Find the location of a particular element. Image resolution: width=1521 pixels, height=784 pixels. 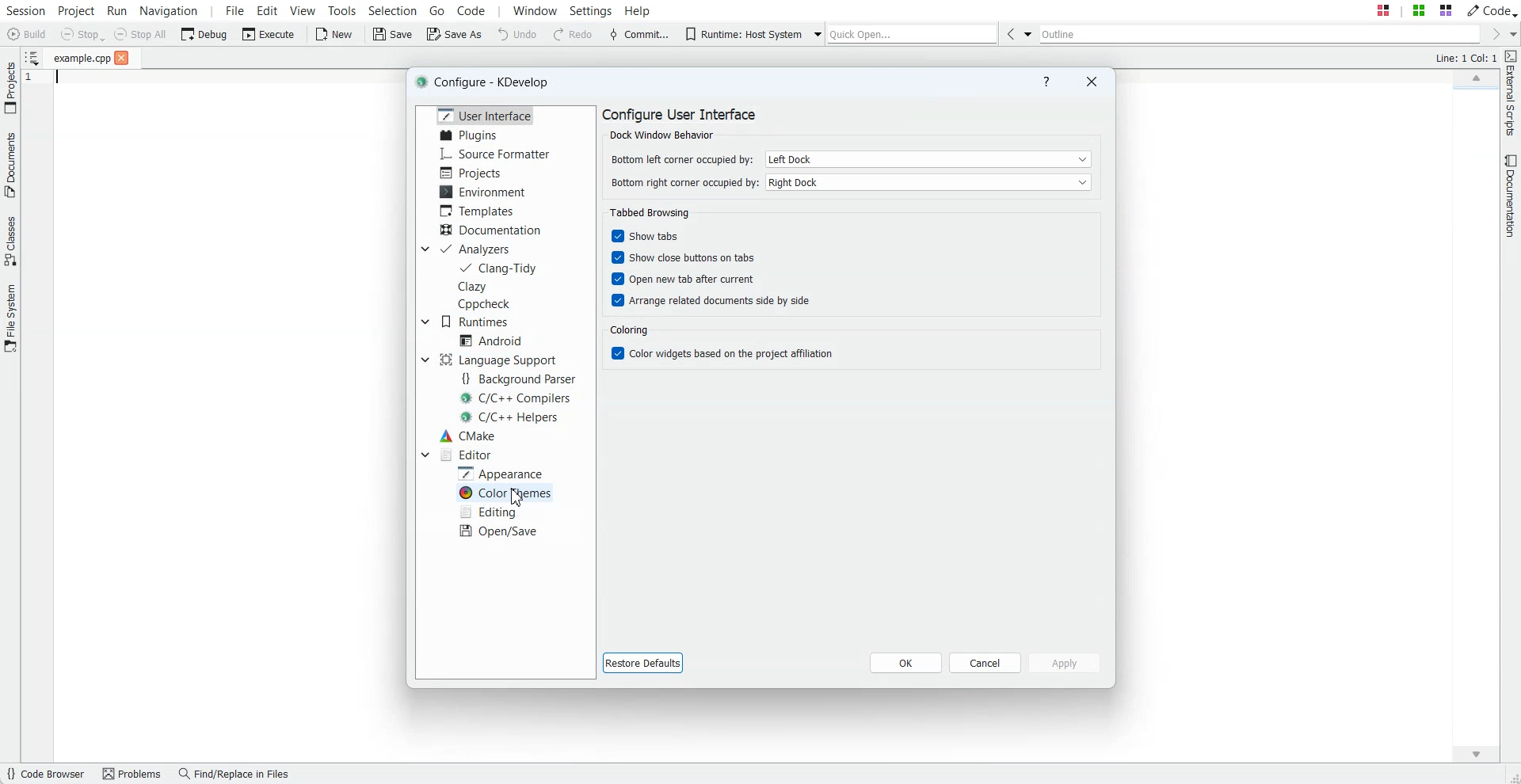

Apply is located at coordinates (1065, 663).